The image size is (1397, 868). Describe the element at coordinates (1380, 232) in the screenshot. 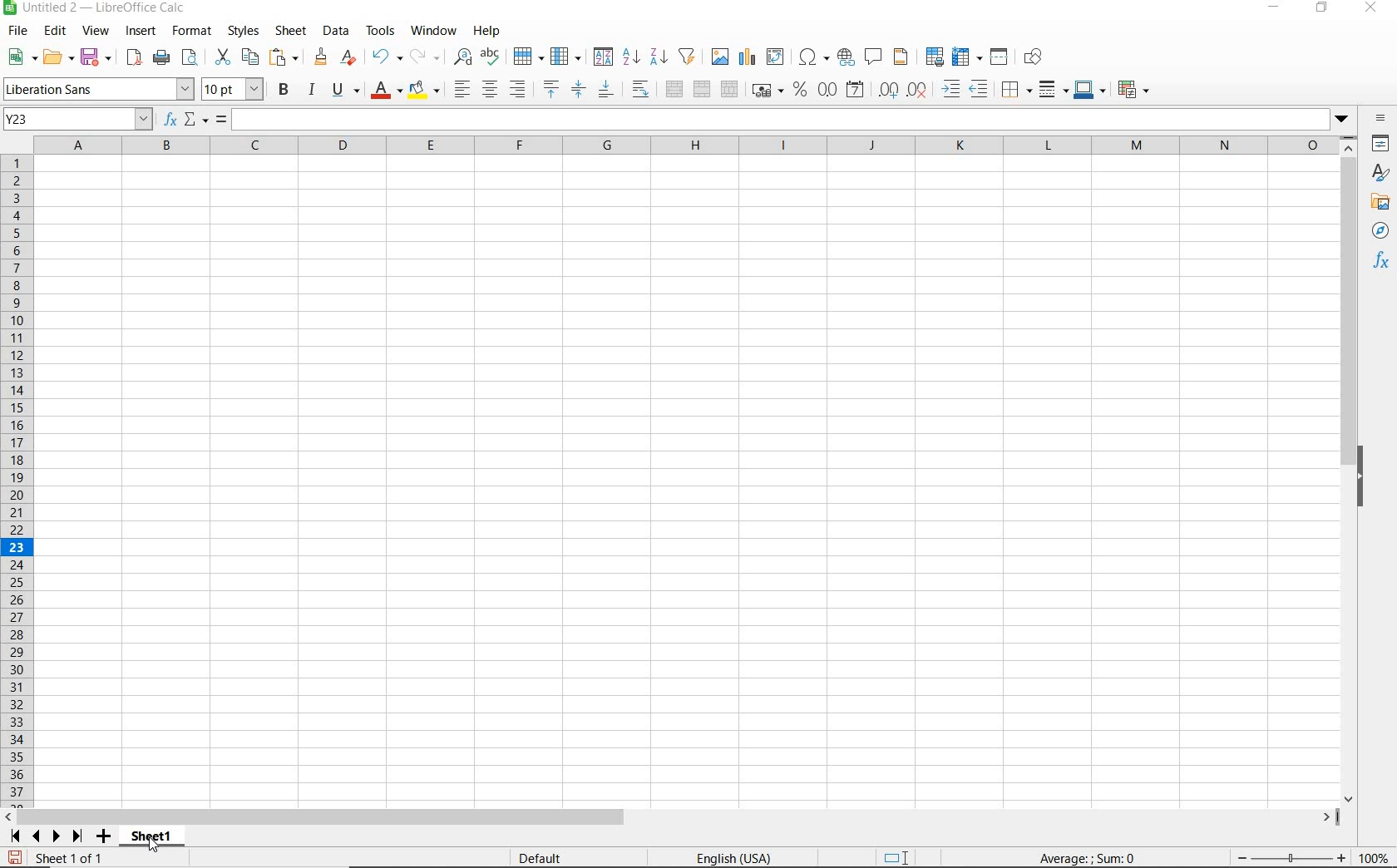

I see `NAVIGATOR` at that location.